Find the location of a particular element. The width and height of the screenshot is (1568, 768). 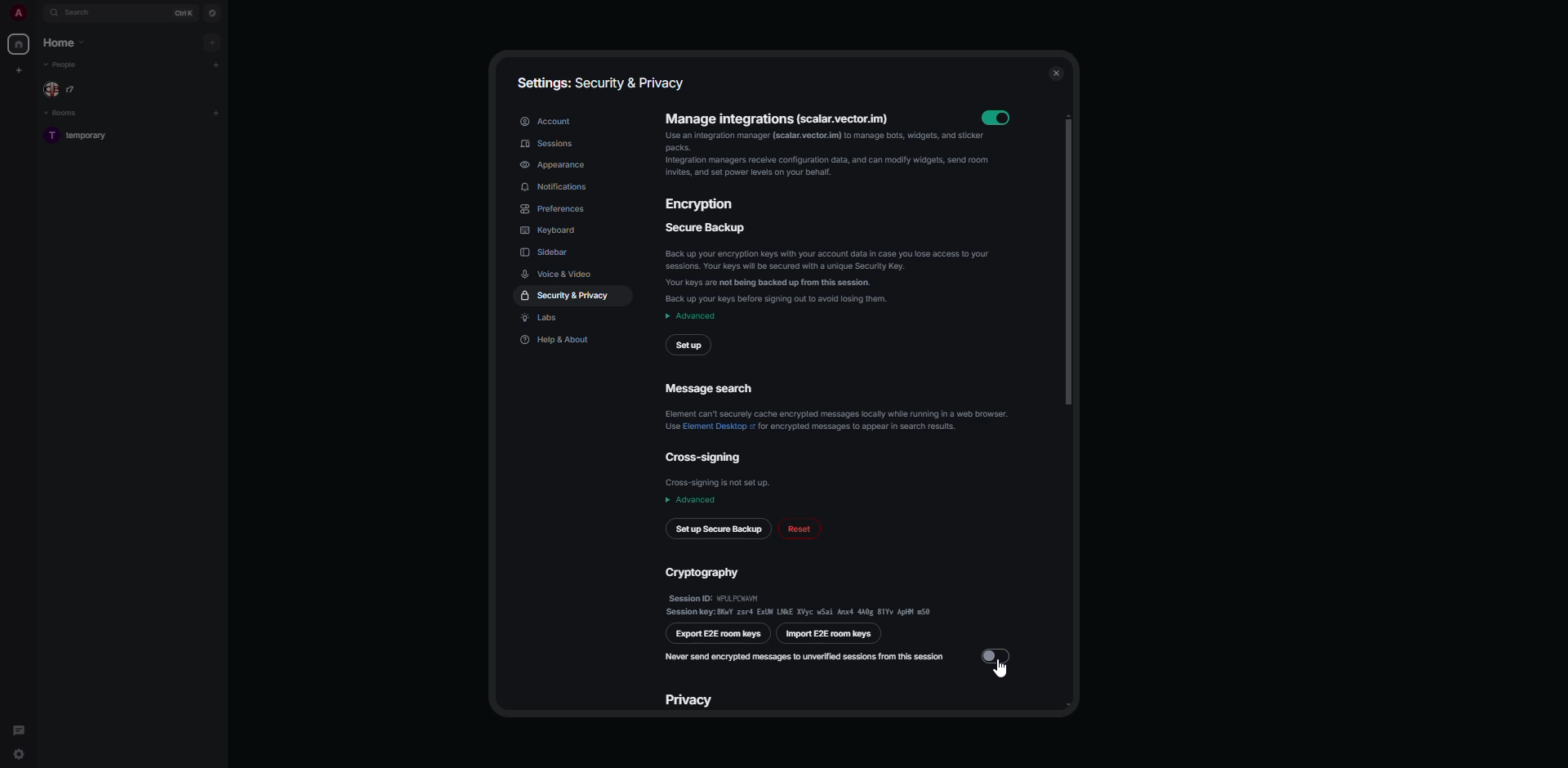

advanced is located at coordinates (694, 500).